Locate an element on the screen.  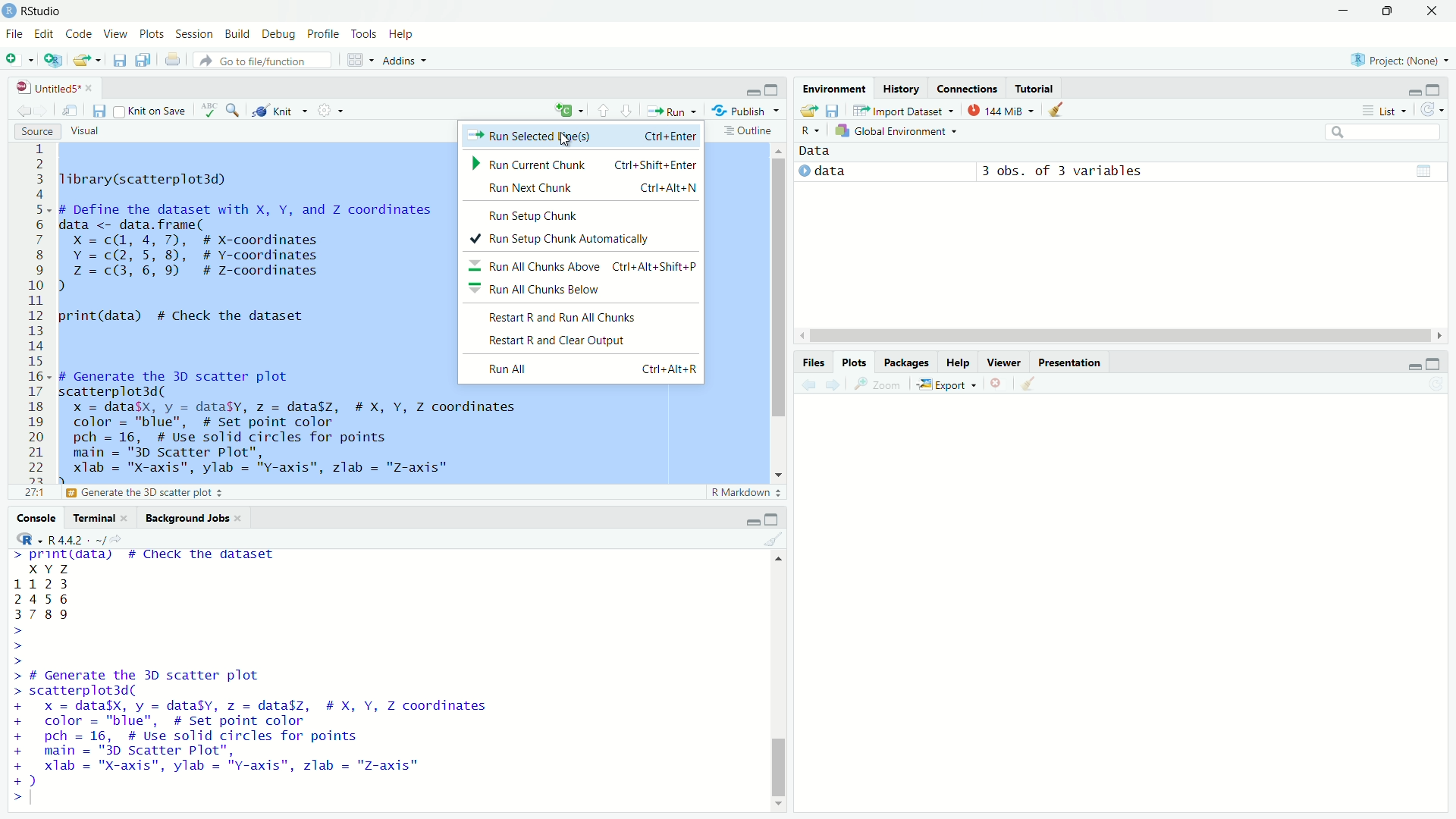
settings is located at coordinates (330, 109).